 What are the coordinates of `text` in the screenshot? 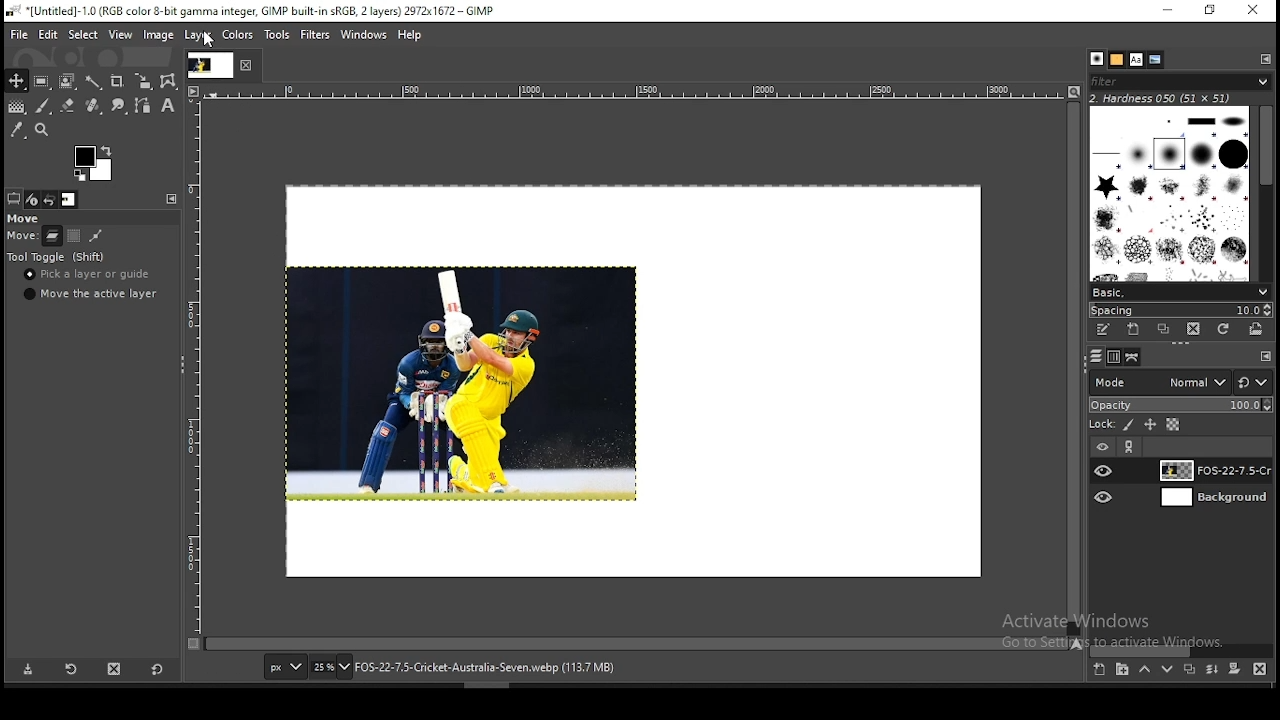 It's located at (487, 668).